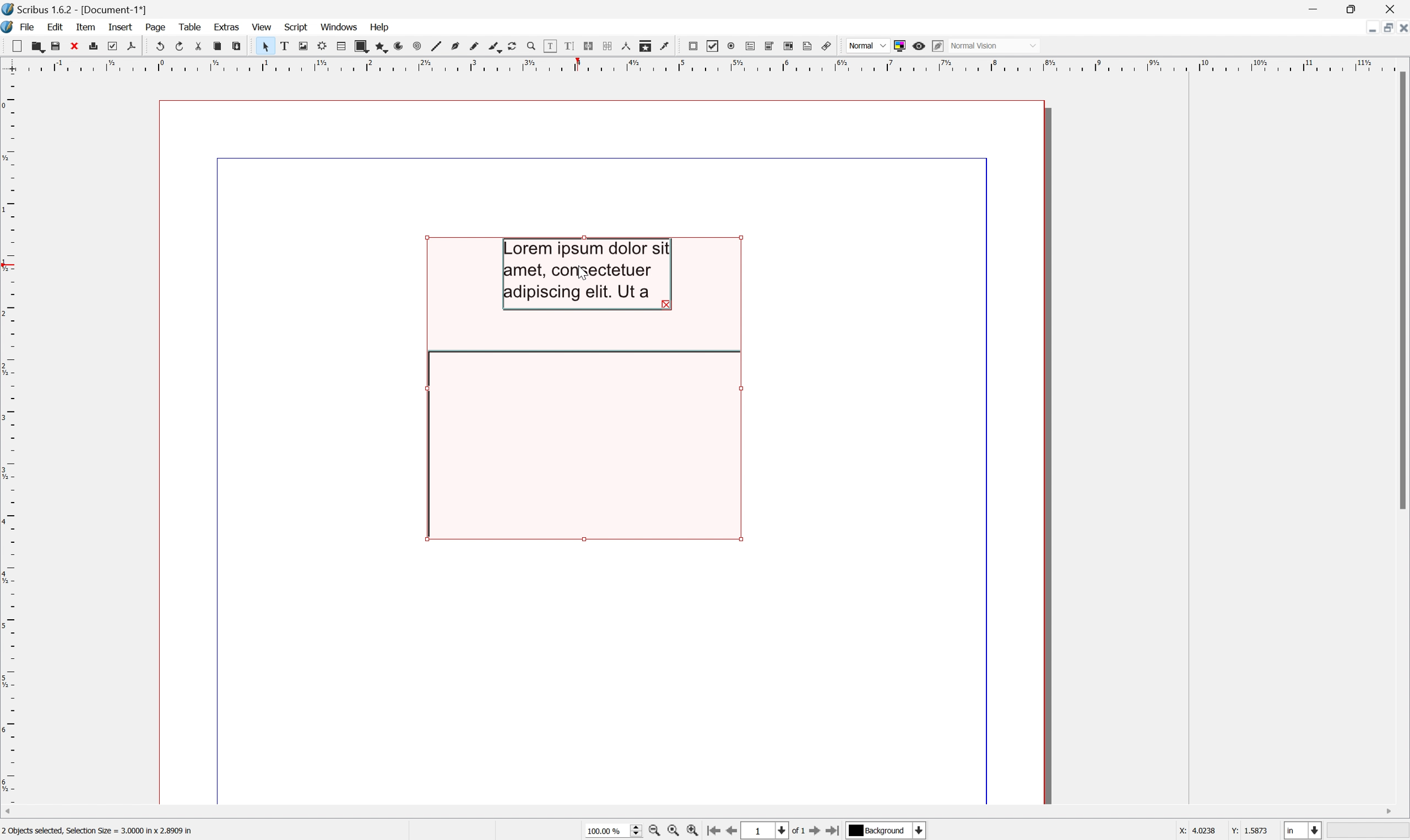 This screenshot has height=840, width=1410. What do you see at coordinates (494, 48) in the screenshot?
I see `Calligraphic line` at bounding box center [494, 48].